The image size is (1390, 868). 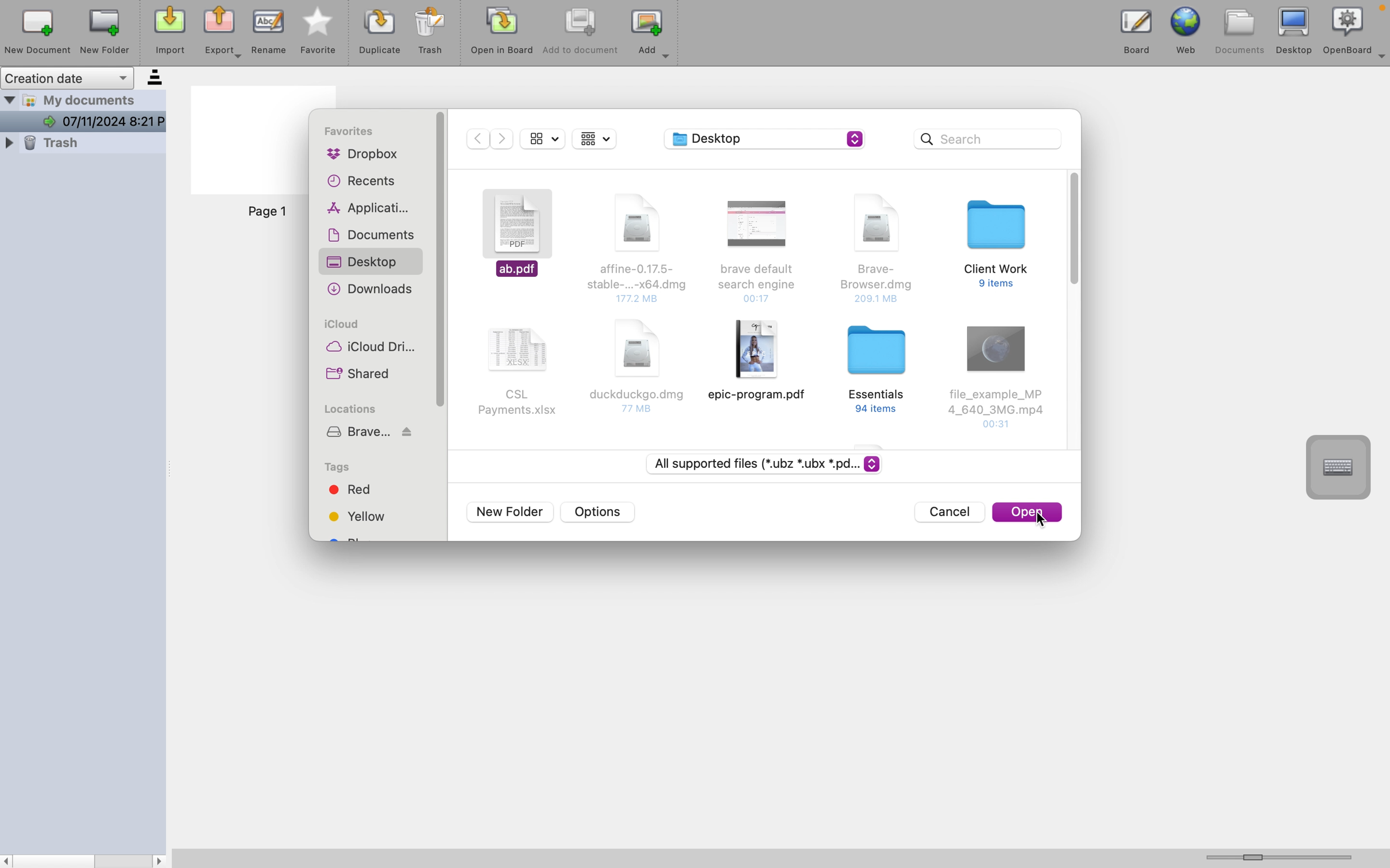 What do you see at coordinates (519, 370) in the screenshot?
I see `document` at bounding box center [519, 370].